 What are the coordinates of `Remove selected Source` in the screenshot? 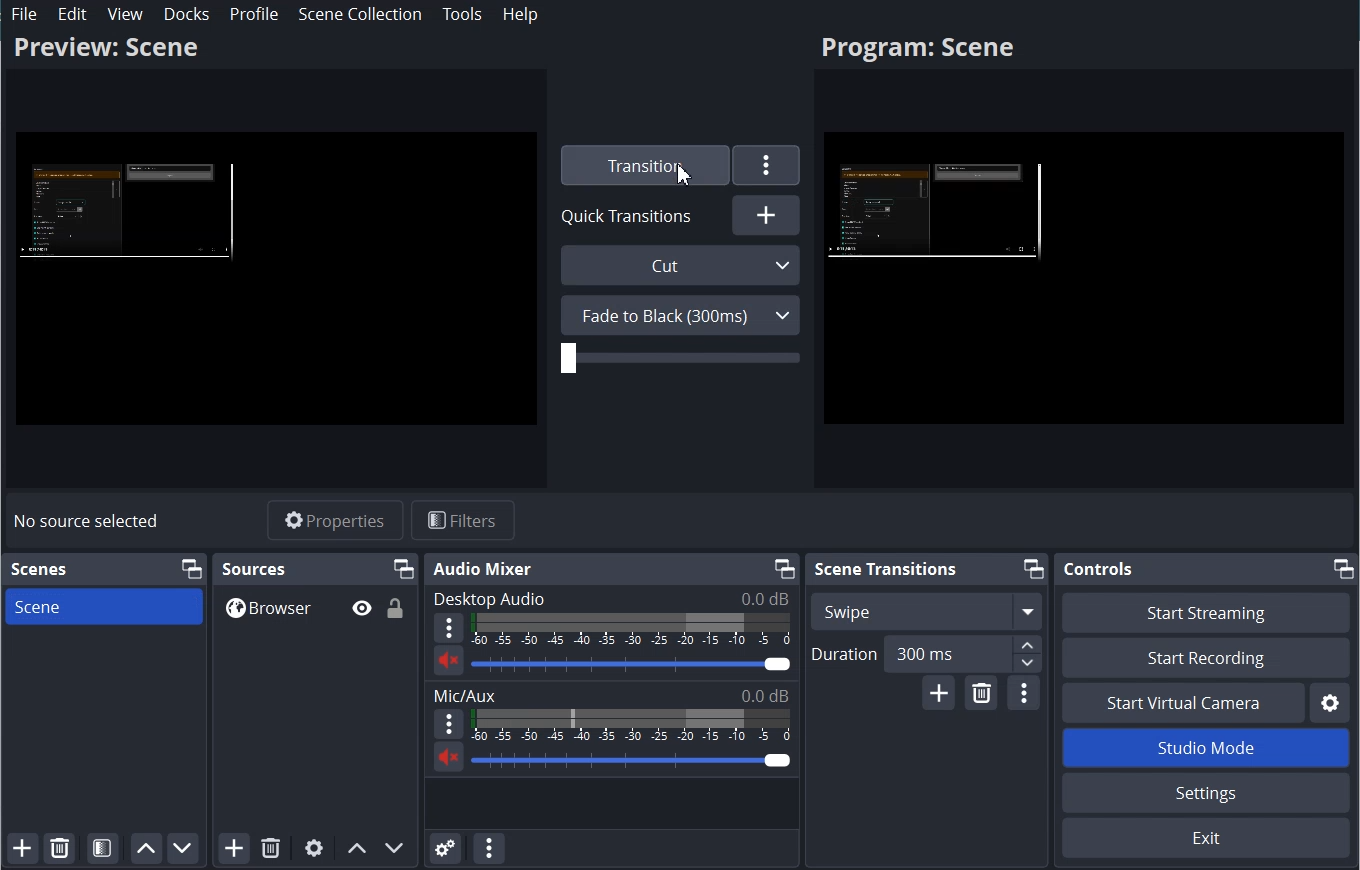 It's located at (271, 848).